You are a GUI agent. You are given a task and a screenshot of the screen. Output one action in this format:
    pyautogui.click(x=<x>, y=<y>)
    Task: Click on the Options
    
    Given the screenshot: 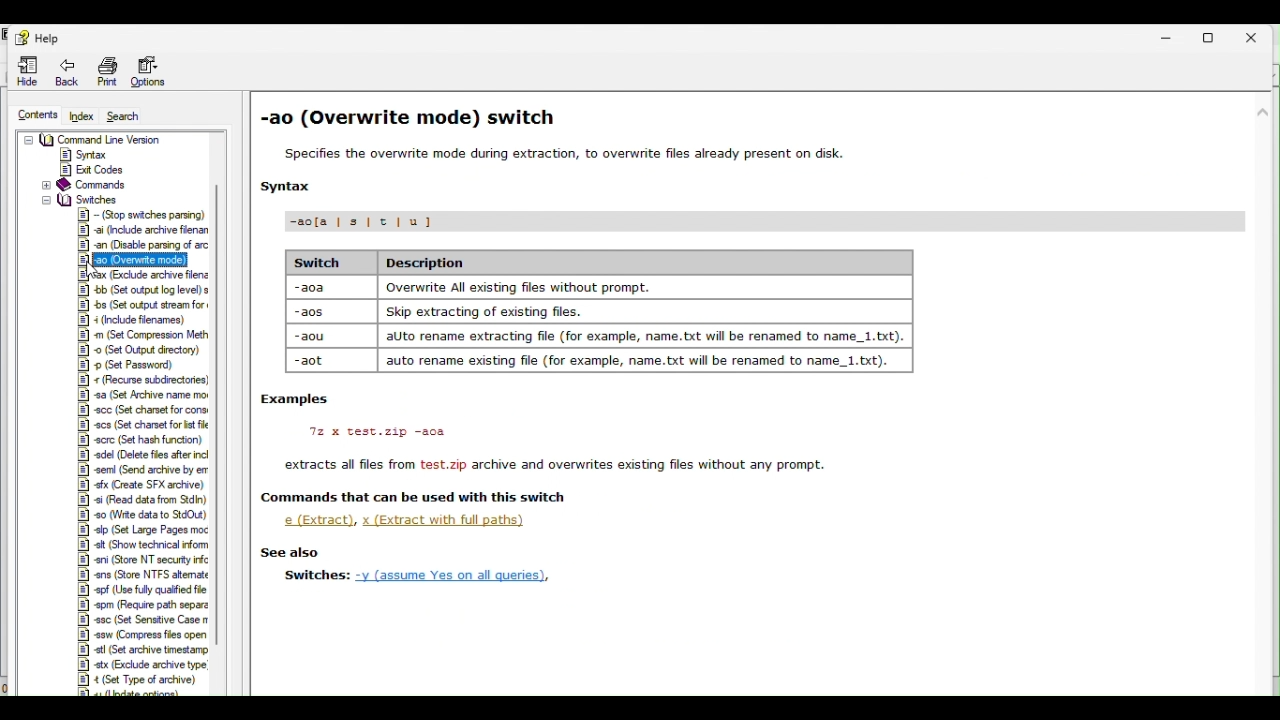 What is the action you would take?
    pyautogui.click(x=156, y=74)
    